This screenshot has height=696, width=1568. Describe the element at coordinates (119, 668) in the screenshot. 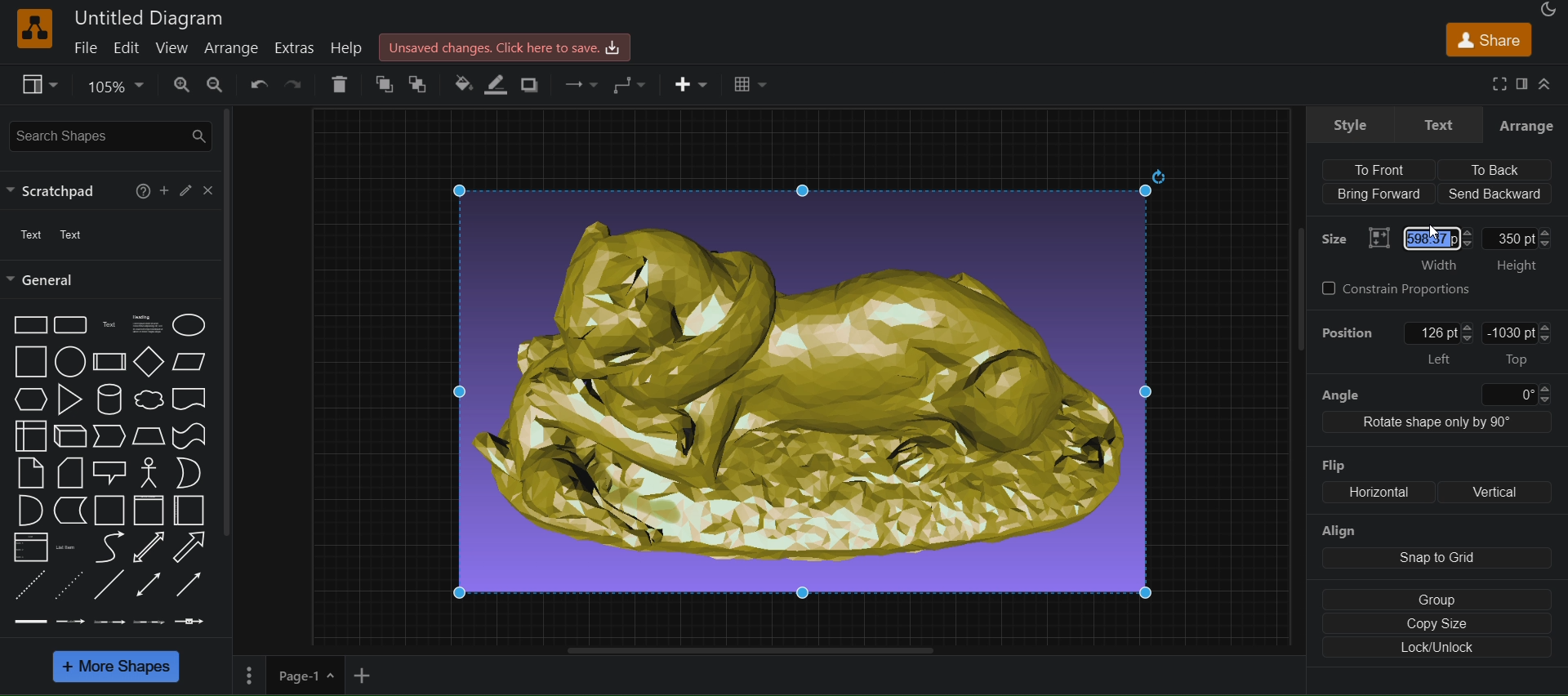

I see `more shapes` at that location.